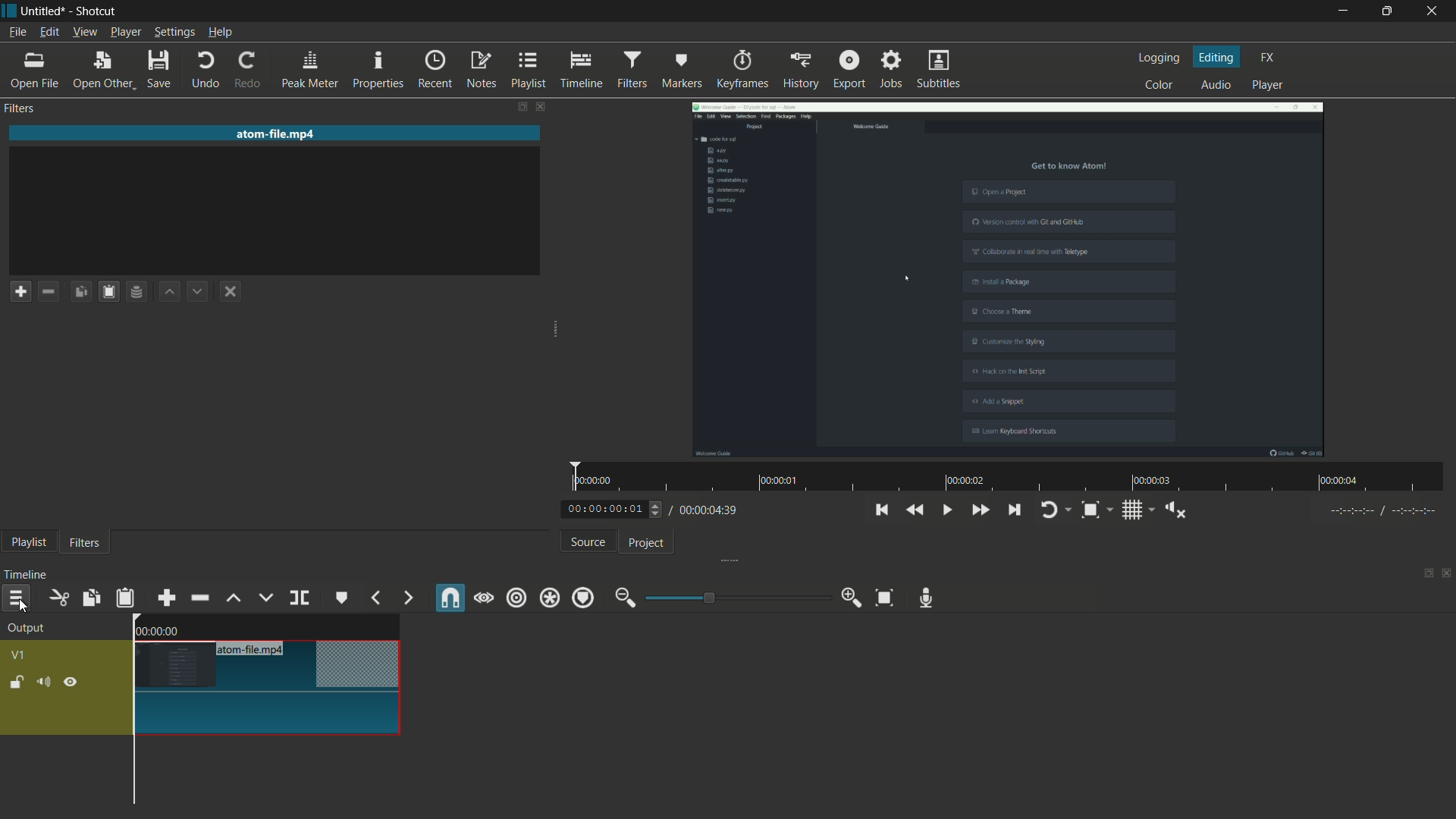 Image resolution: width=1456 pixels, height=819 pixels. What do you see at coordinates (198, 293) in the screenshot?
I see `move filter down` at bounding box center [198, 293].